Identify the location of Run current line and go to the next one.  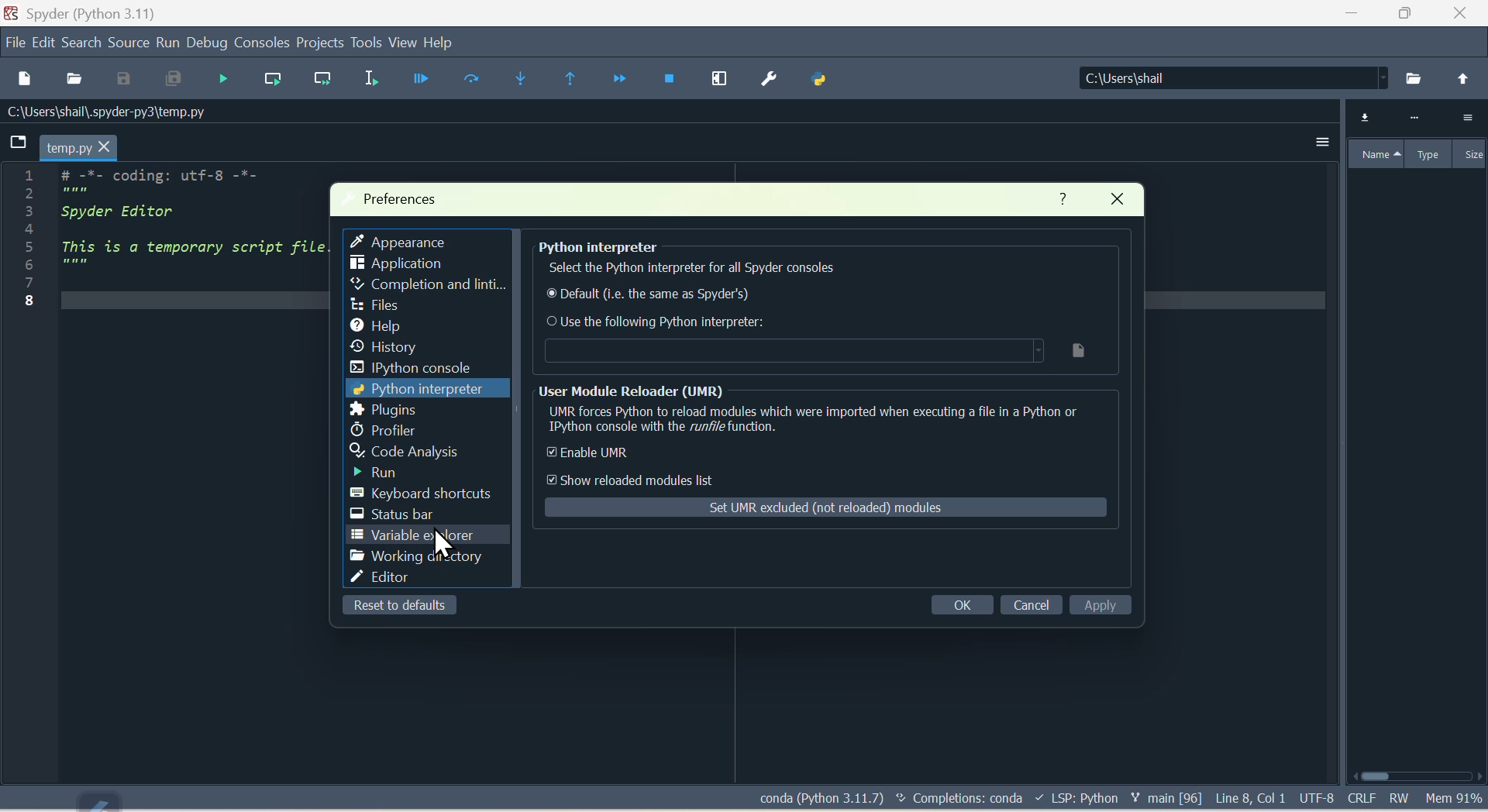
(319, 77).